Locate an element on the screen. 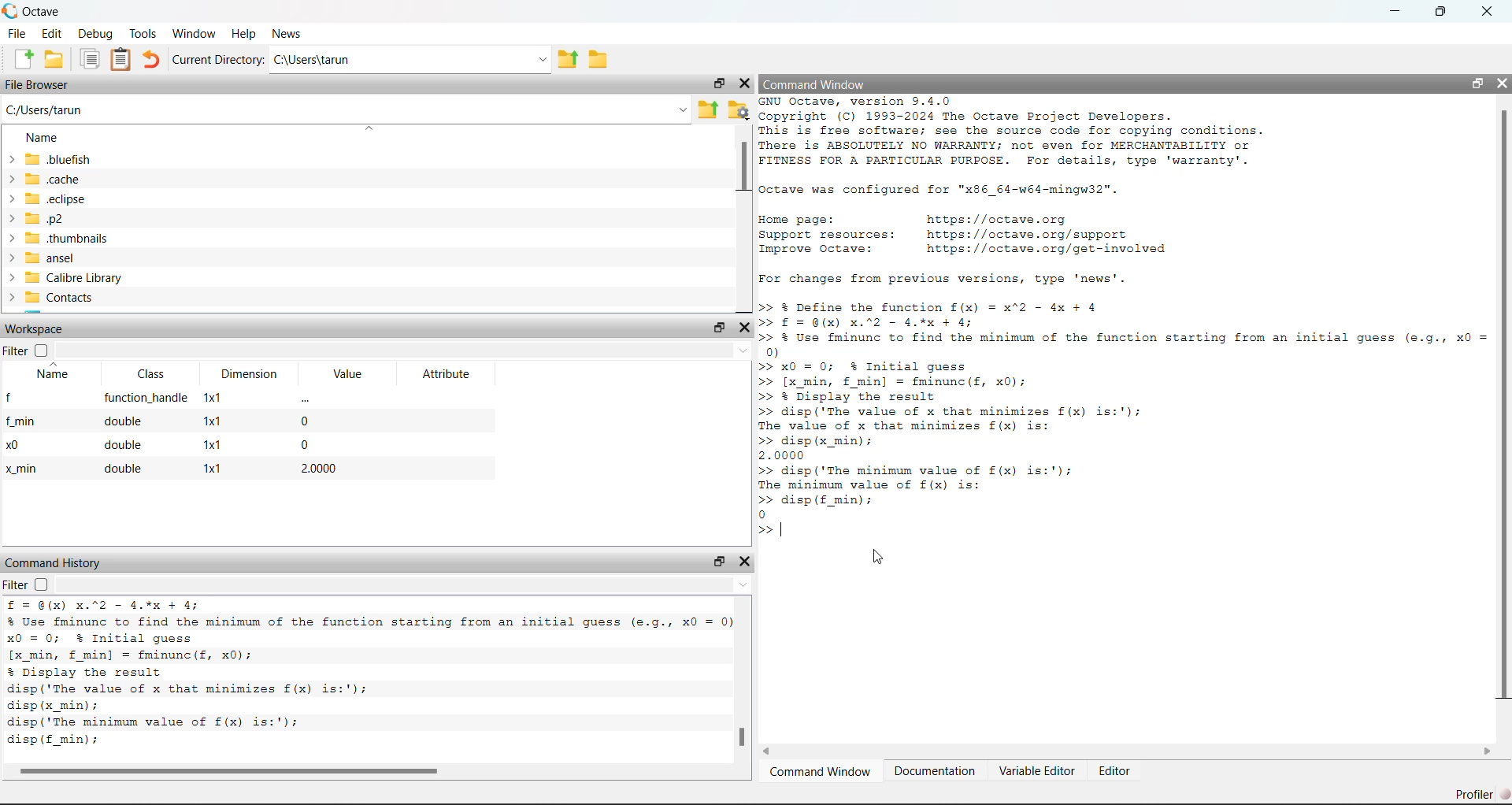 This screenshot has width=1512, height=805. Attribute is located at coordinates (446, 373).